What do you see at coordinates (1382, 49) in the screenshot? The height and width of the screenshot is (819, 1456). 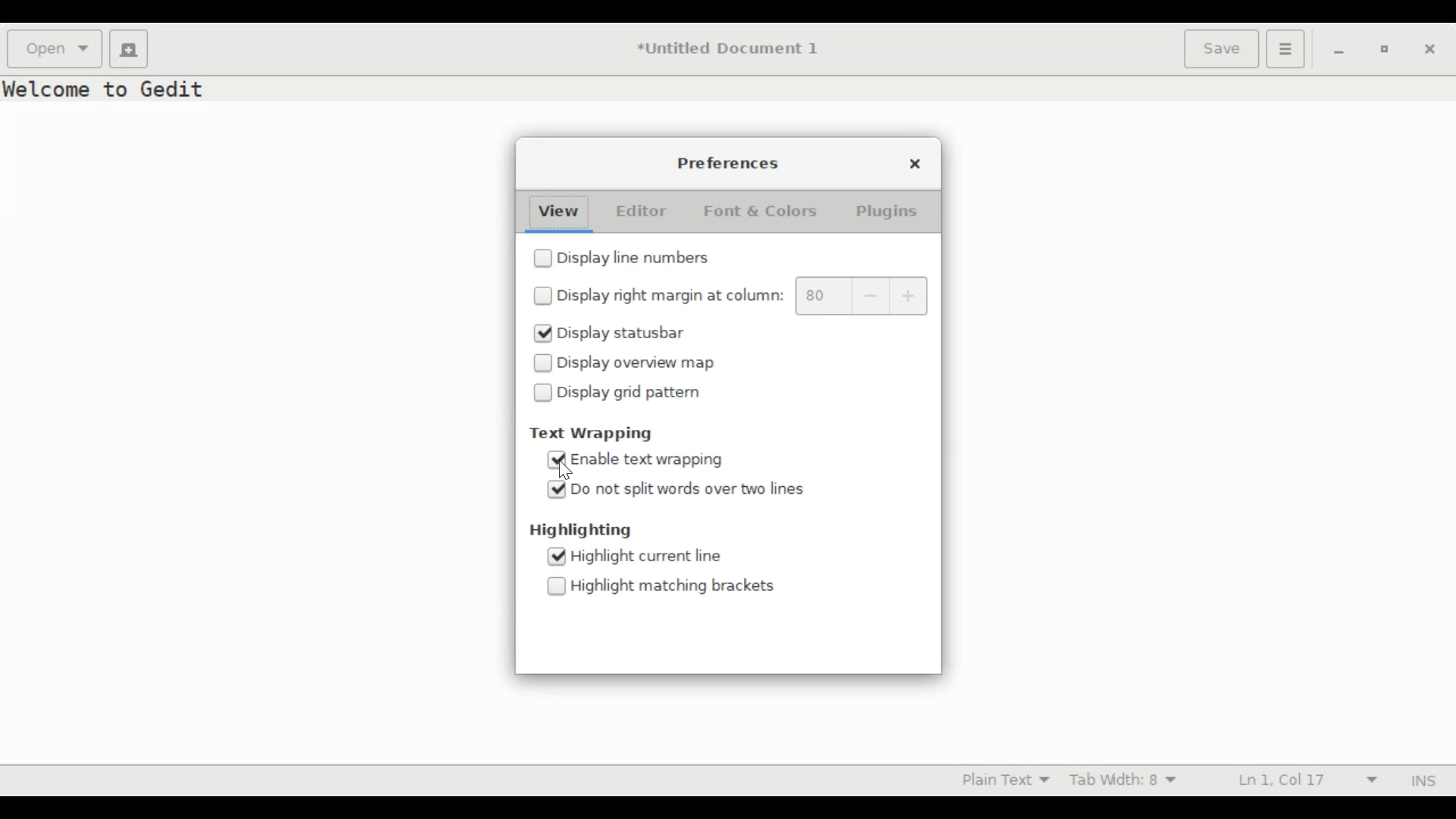 I see `Restore` at bounding box center [1382, 49].